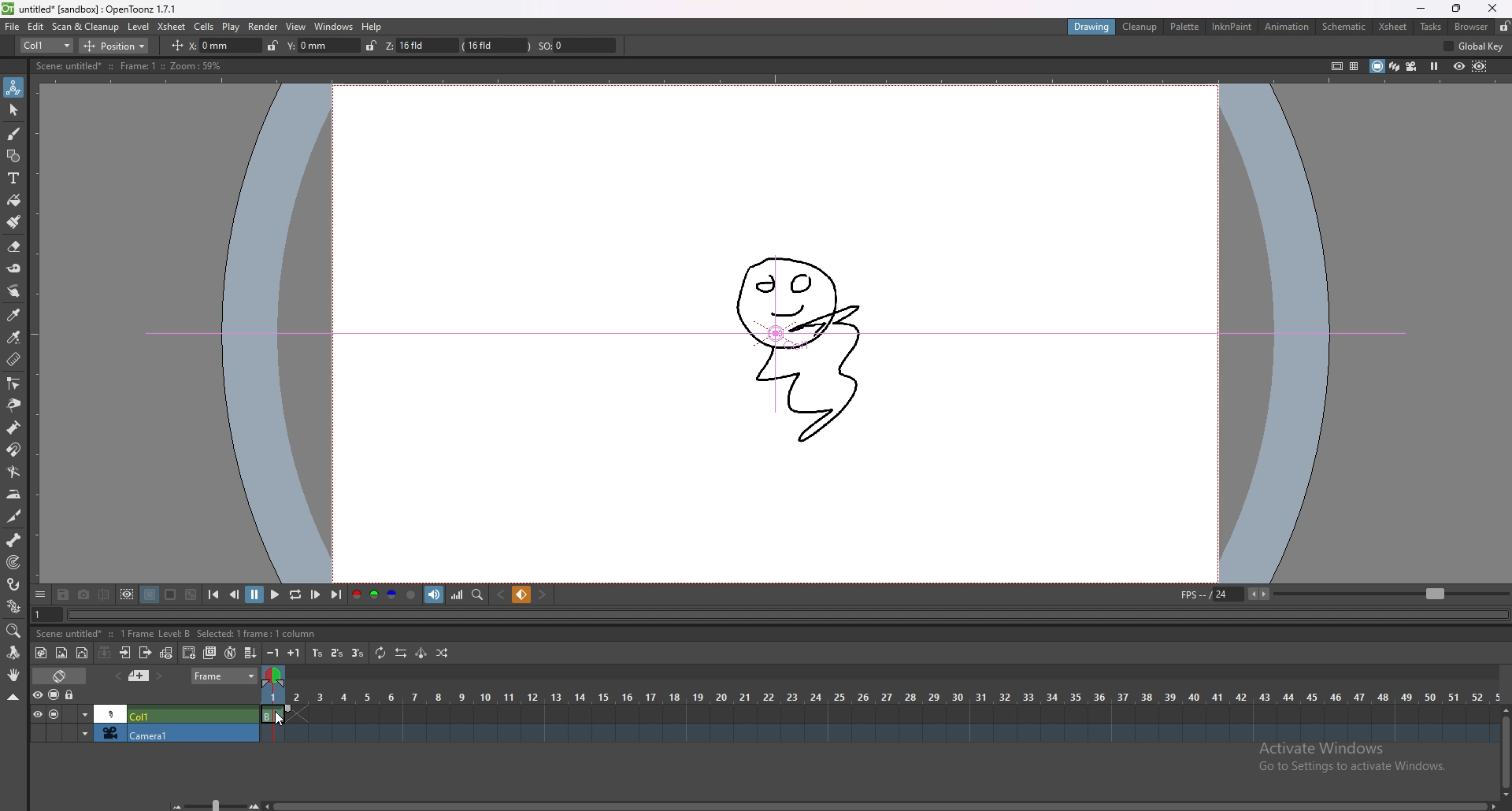 The height and width of the screenshot is (811, 1512). Describe the element at coordinates (139, 735) in the screenshot. I see `camera 1` at that location.